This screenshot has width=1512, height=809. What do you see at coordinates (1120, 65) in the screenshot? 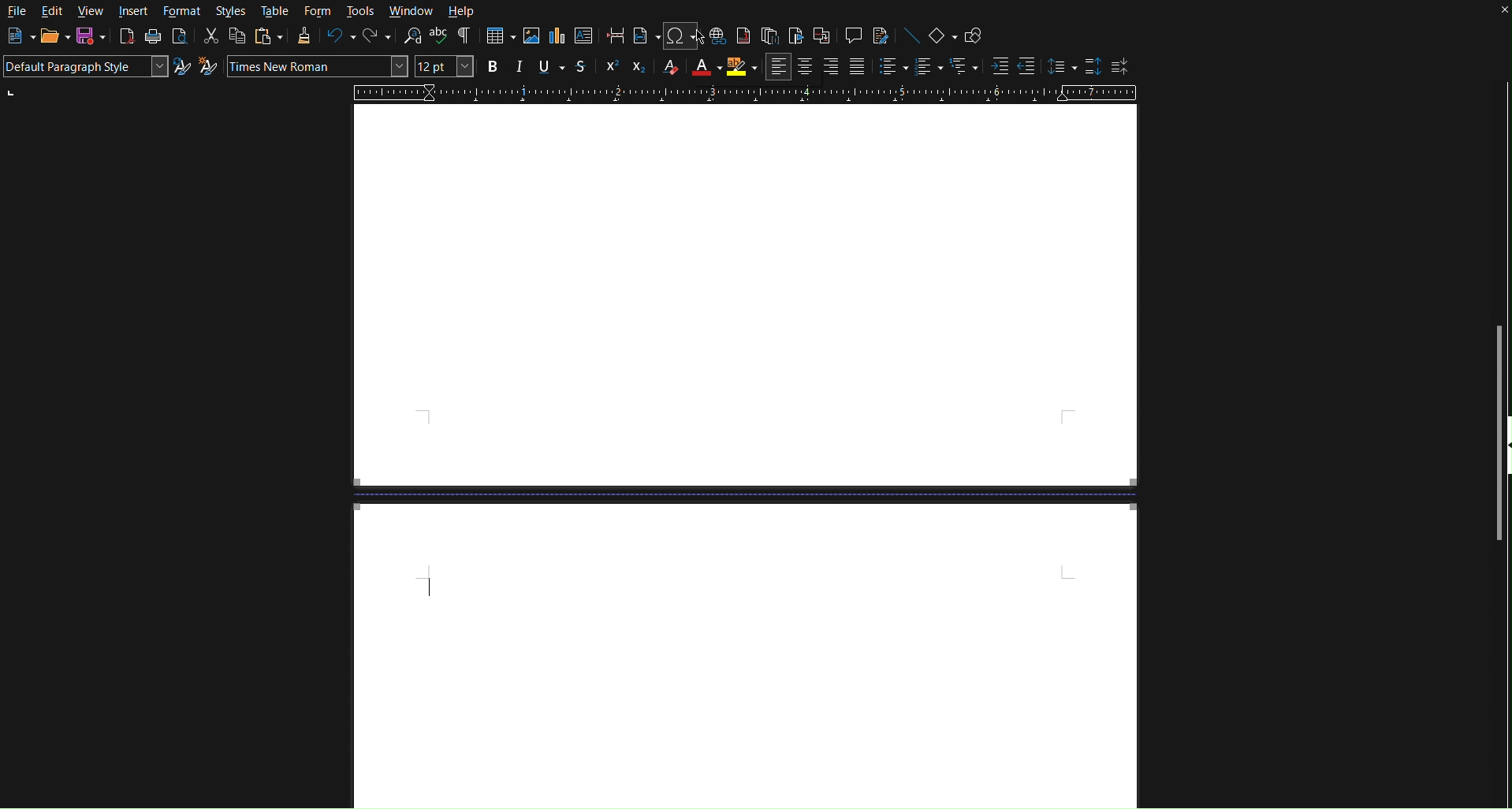
I see `Decrease Paragraph Spacing` at bounding box center [1120, 65].